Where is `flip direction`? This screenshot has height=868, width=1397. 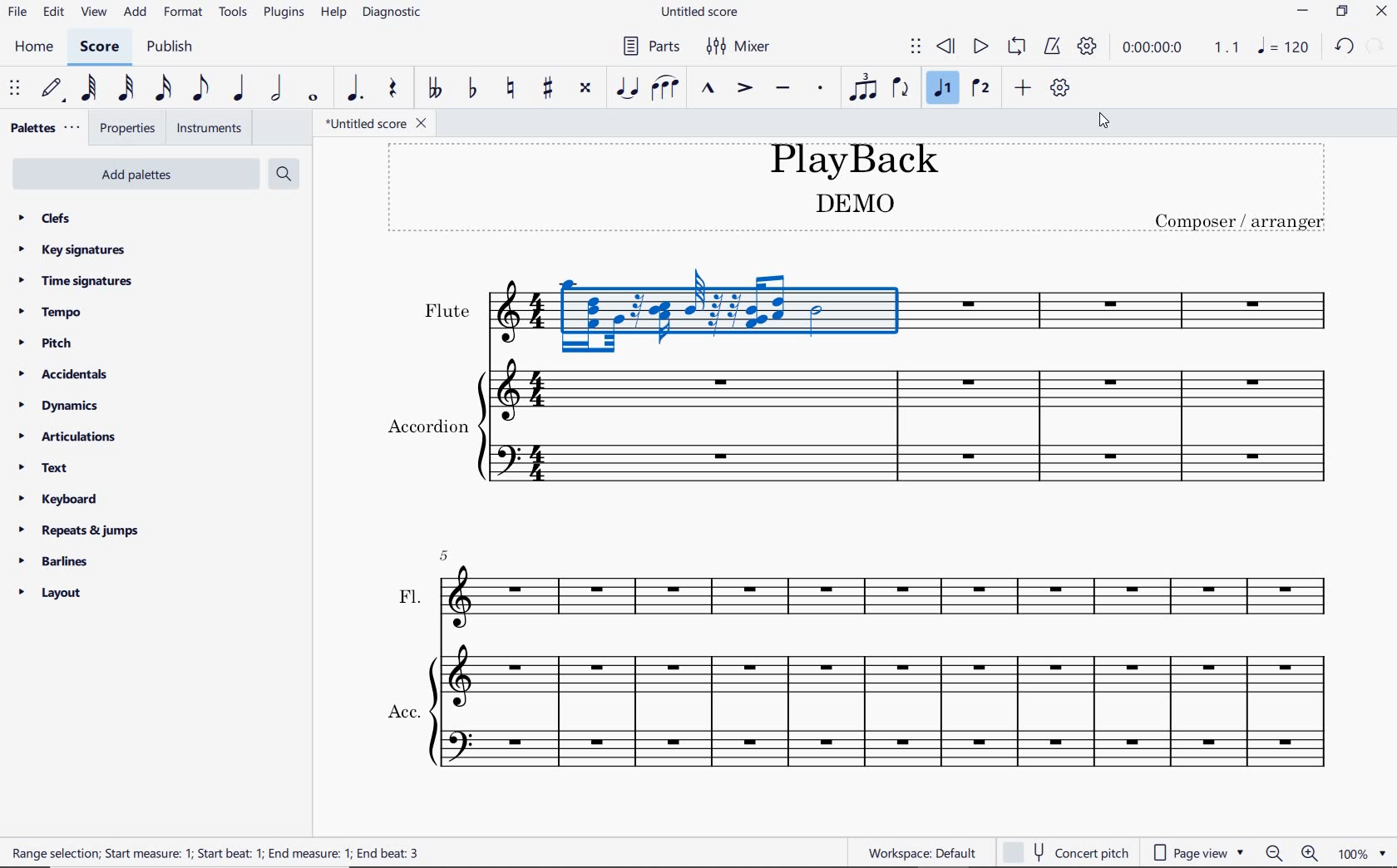
flip direction is located at coordinates (900, 90).